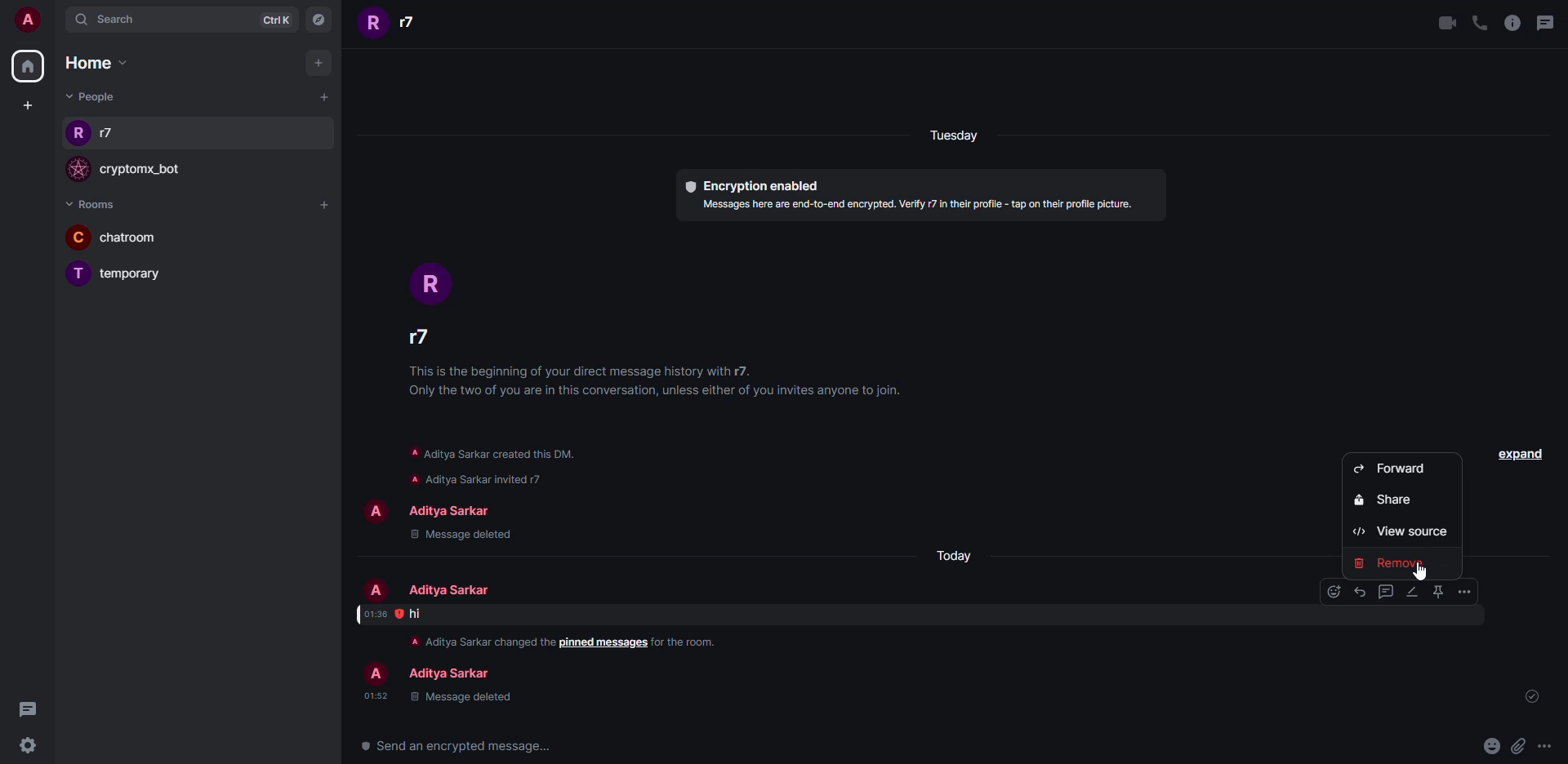  What do you see at coordinates (374, 512) in the screenshot?
I see `profile` at bounding box center [374, 512].